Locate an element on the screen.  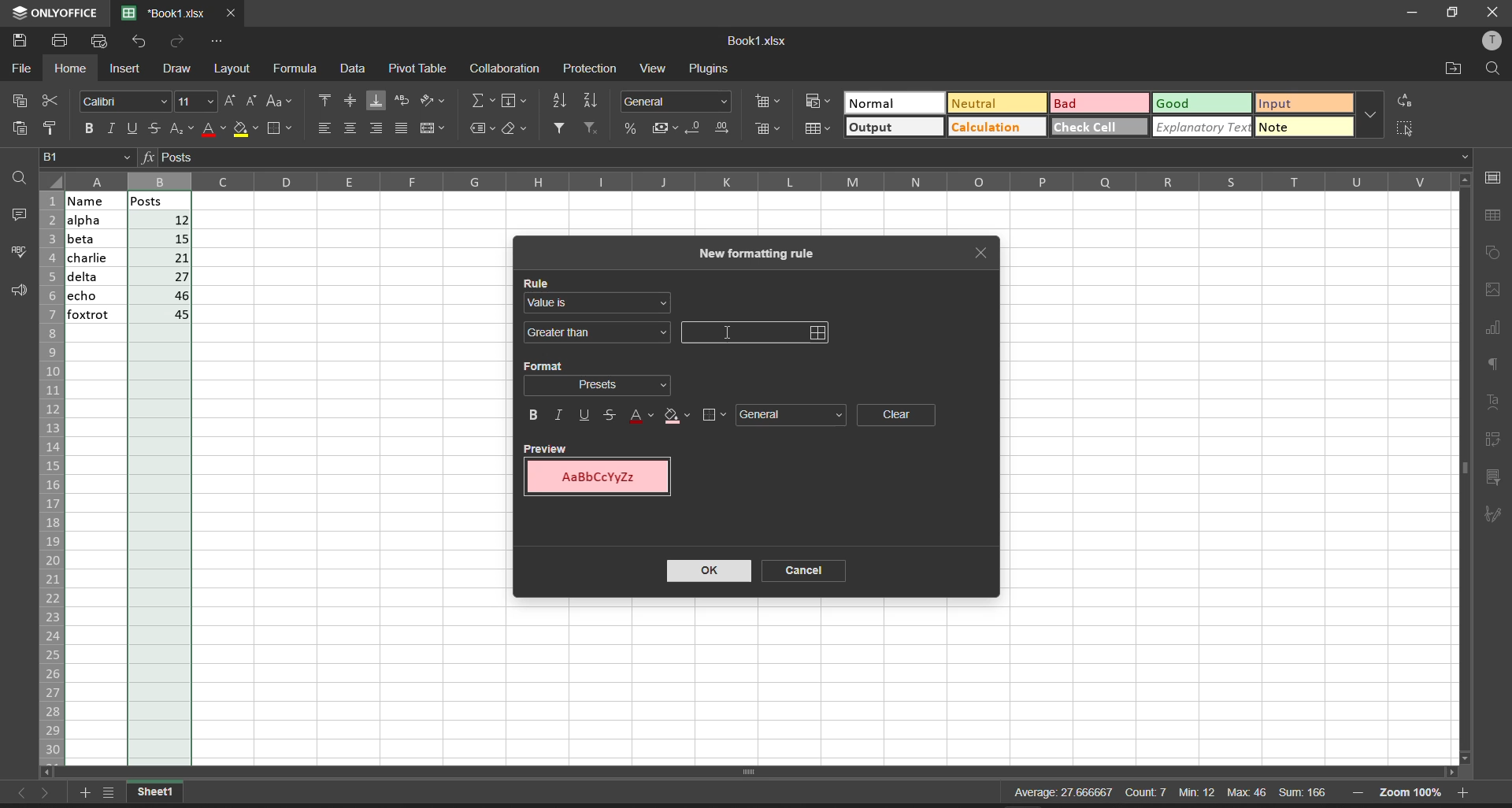
increment font size is located at coordinates (230, 95).